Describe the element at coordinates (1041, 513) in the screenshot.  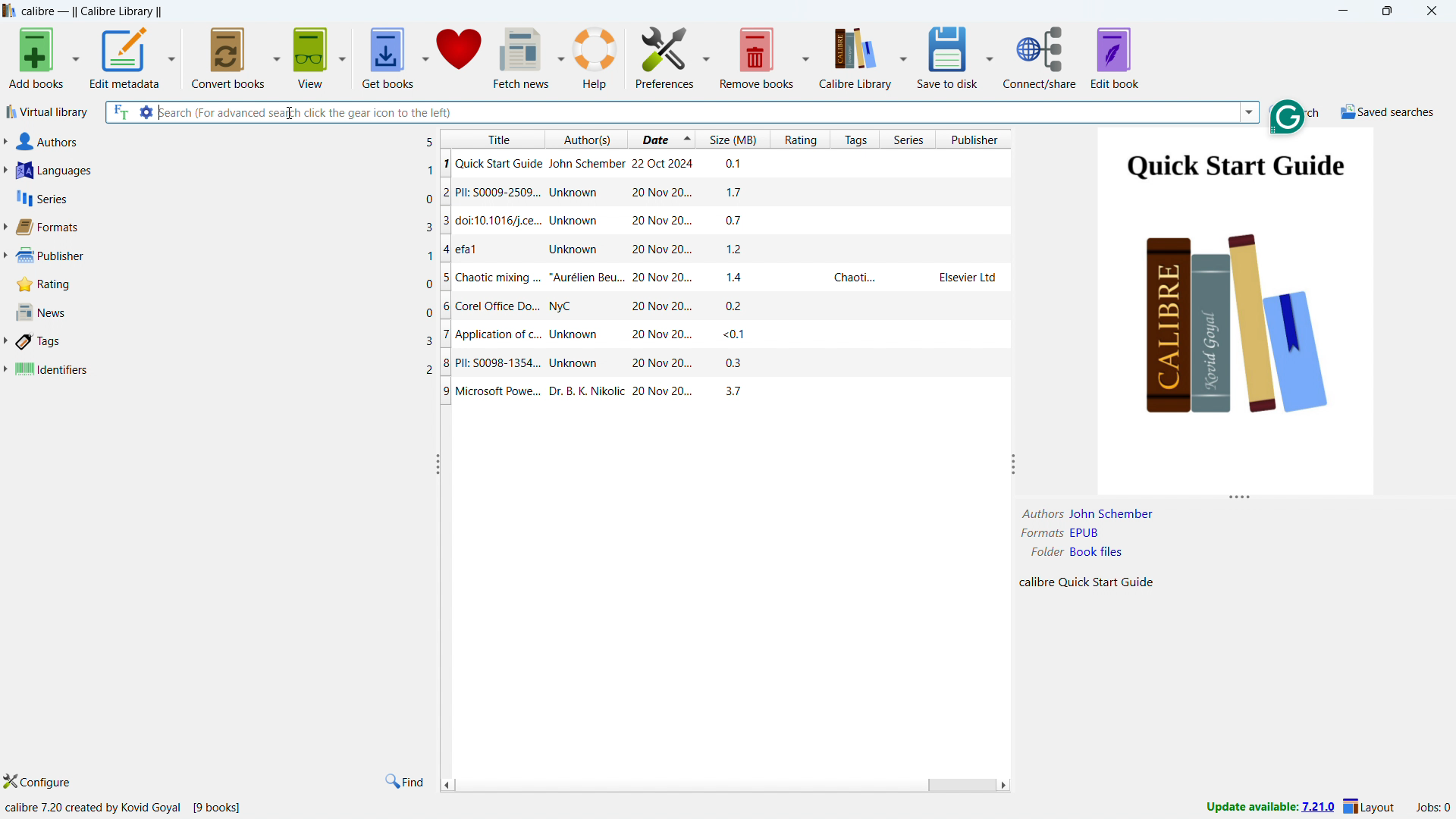
I see `Author` at that location.